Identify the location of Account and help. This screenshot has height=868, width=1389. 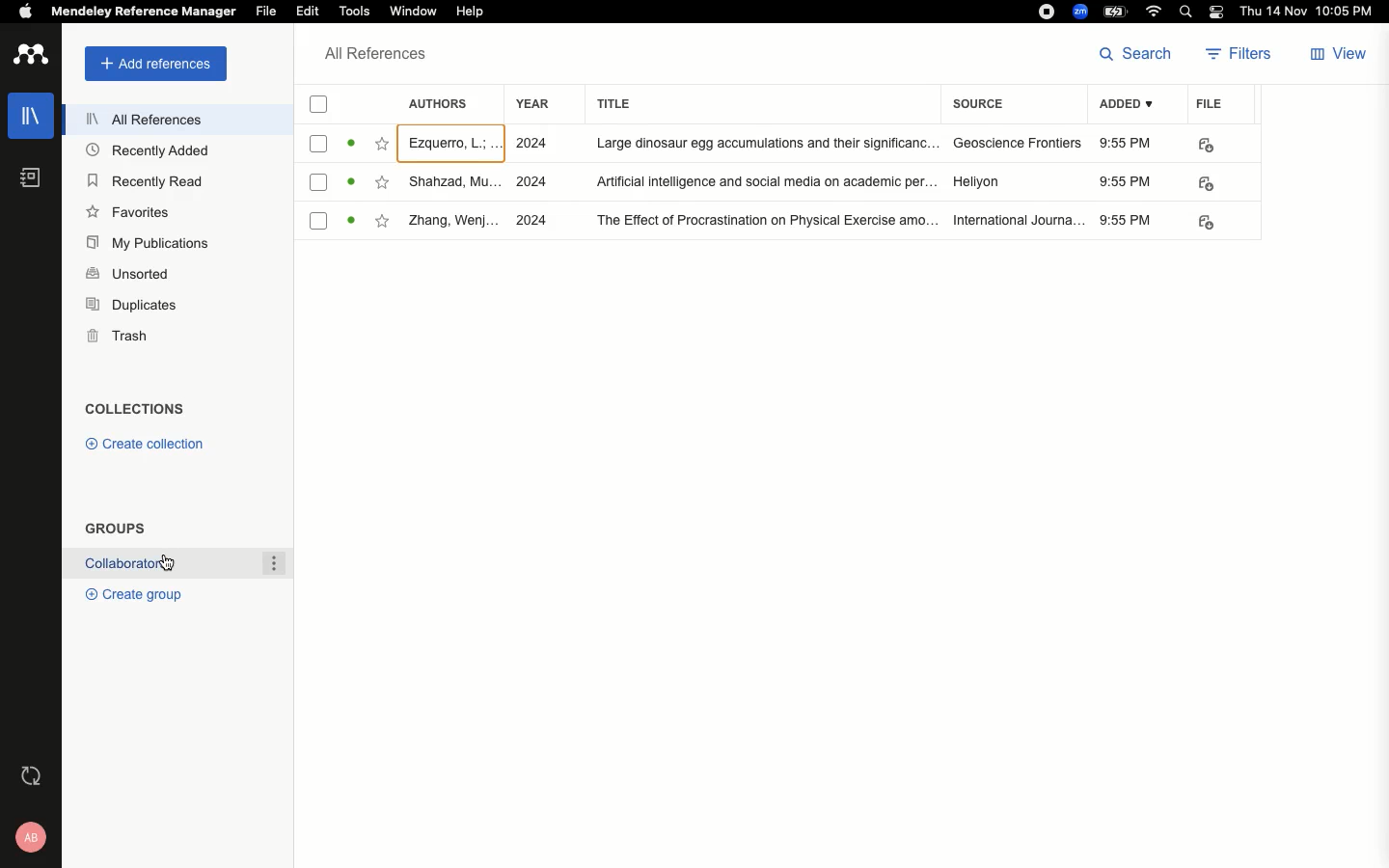
(38, 836).